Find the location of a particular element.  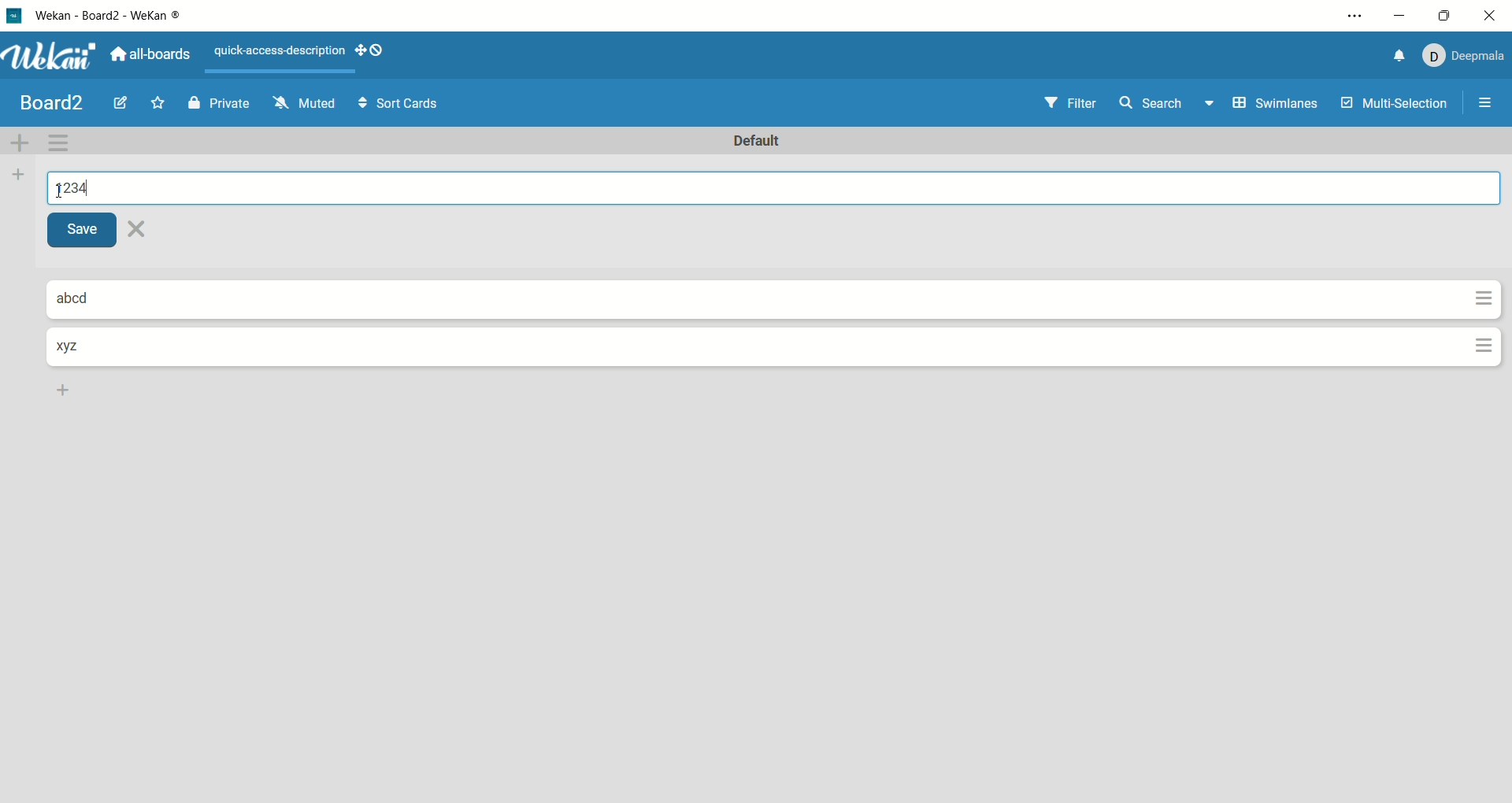

search is located at coordinates (1168, 105).